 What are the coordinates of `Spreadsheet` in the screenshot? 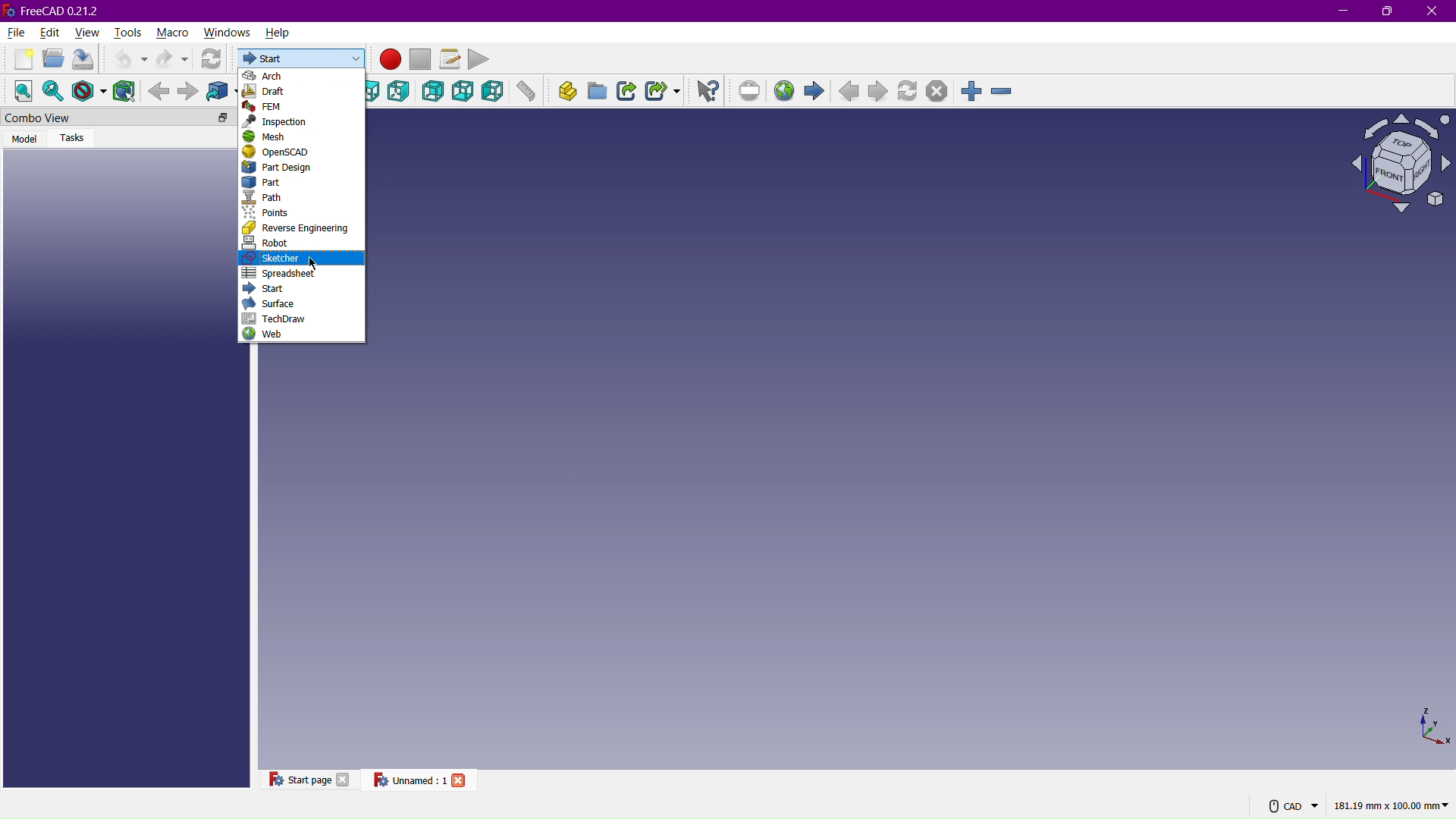 It's located at (304, 274).